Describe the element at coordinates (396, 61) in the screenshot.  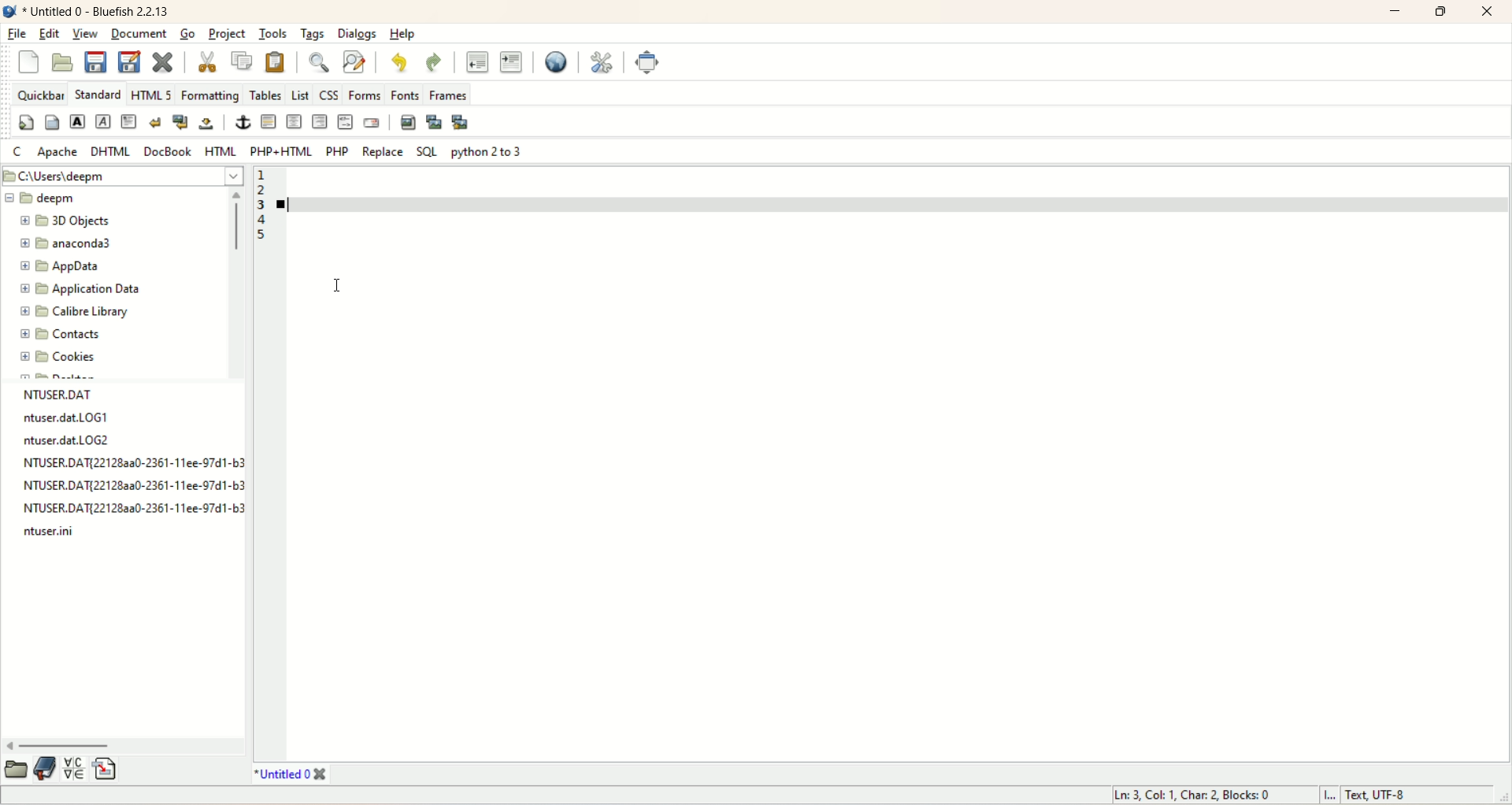
I see `undo` at that location.